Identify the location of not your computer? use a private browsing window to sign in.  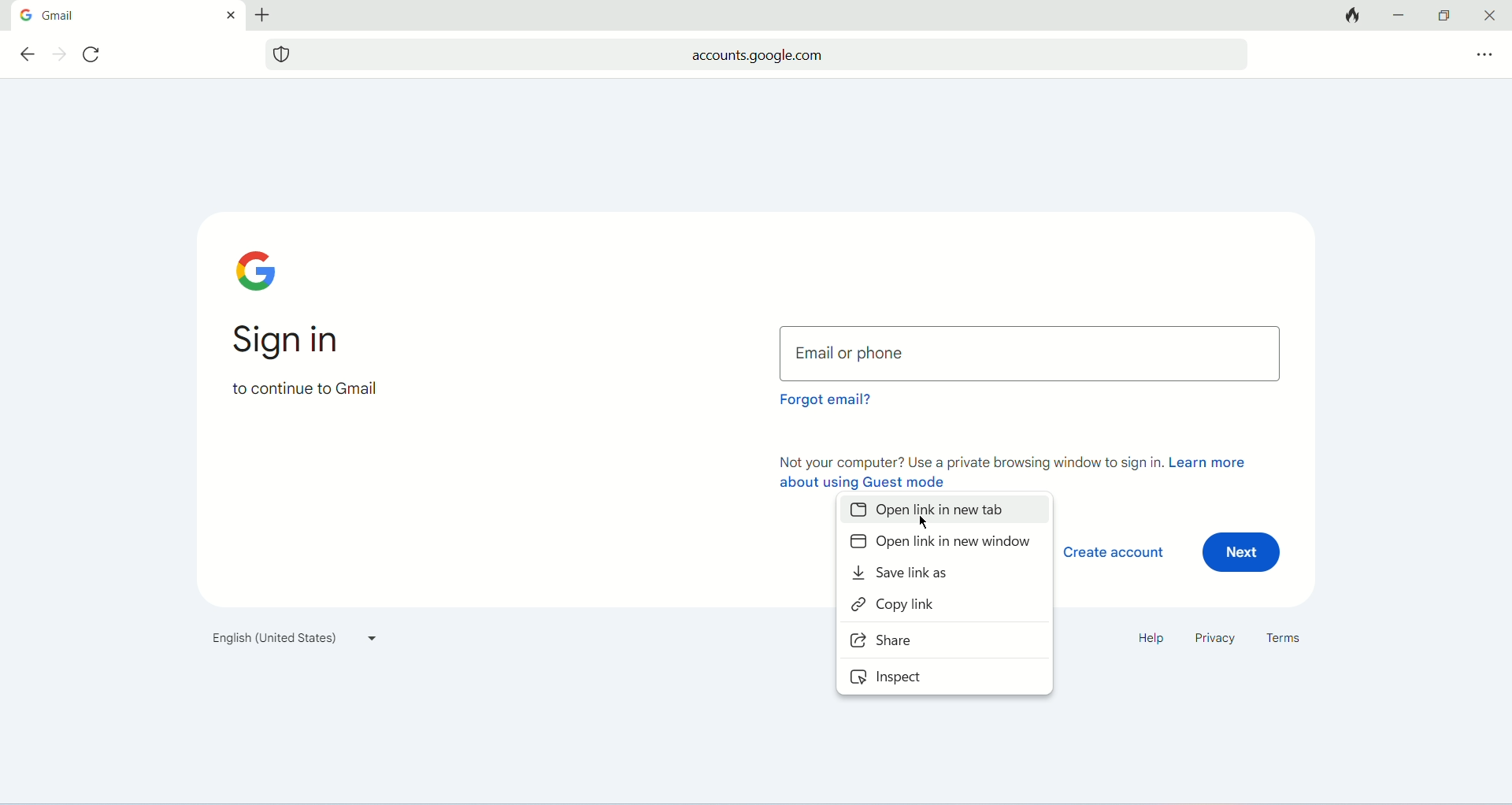
(967, 461).